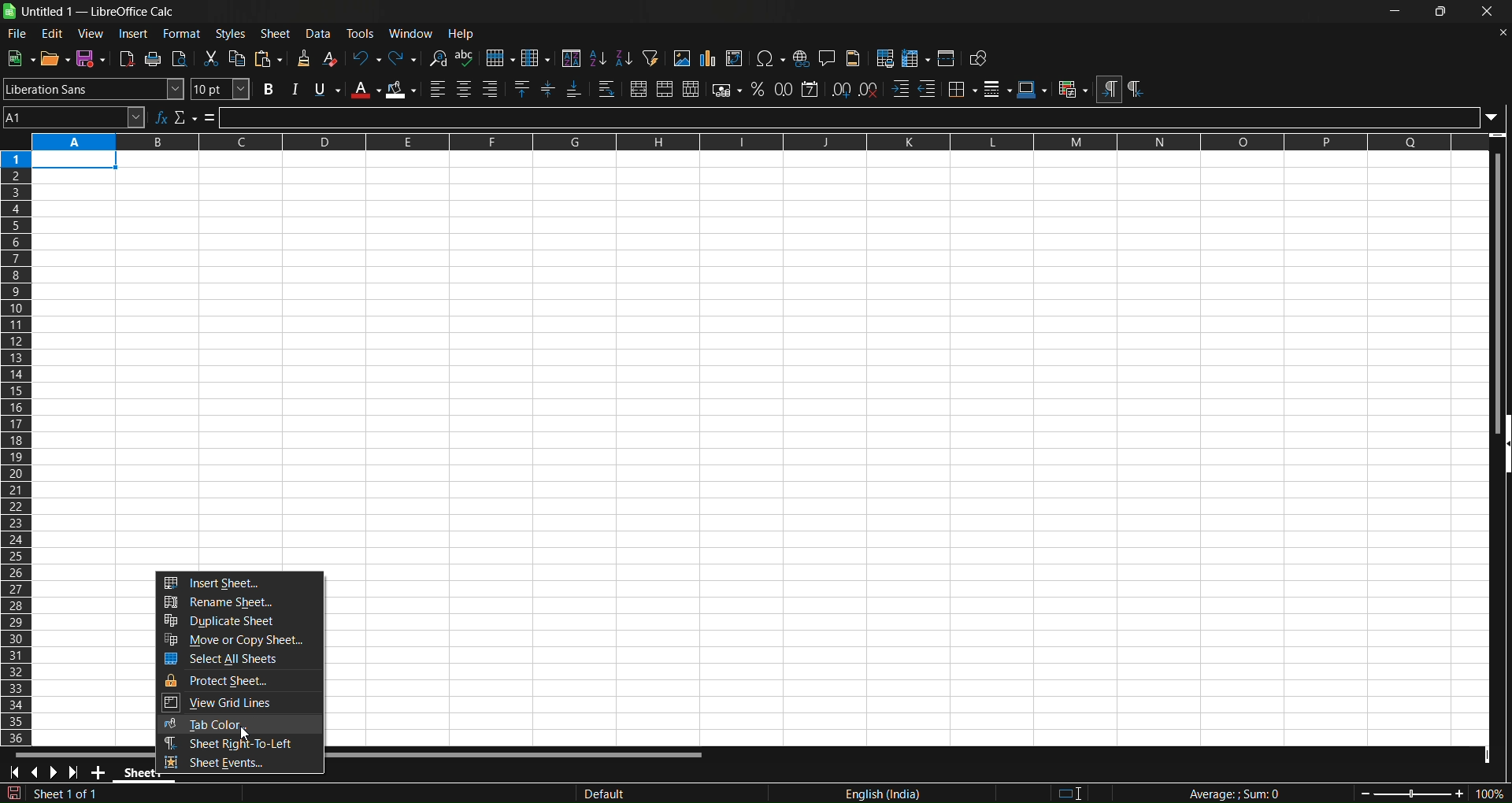 The height and width of the screenshot is (803, 1512). Describe the element at coordinates (322, 33) in the screenshot. I see `data` at that location.